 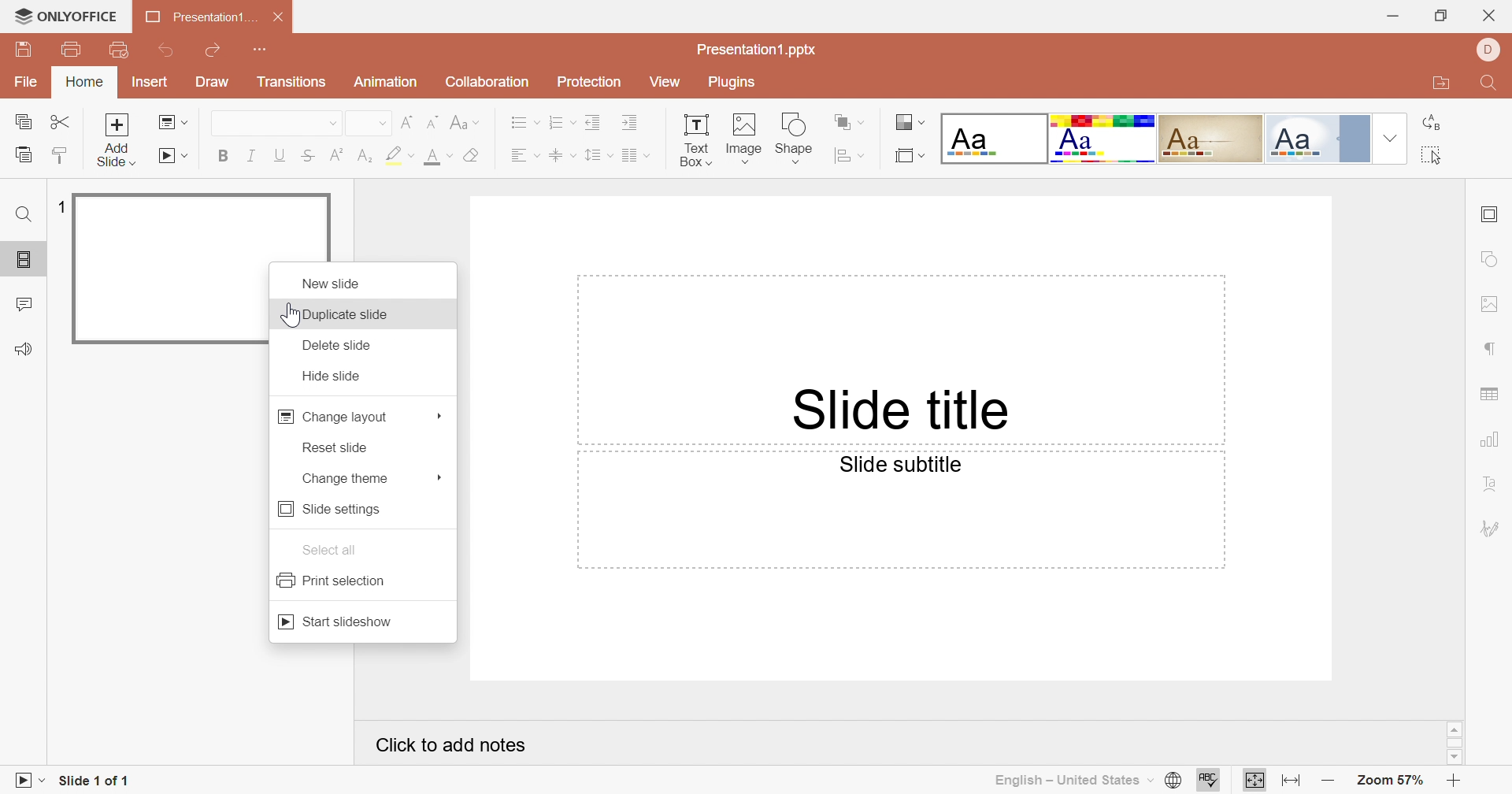 I want to click on Shape settings, so click(x=1489, y=258).